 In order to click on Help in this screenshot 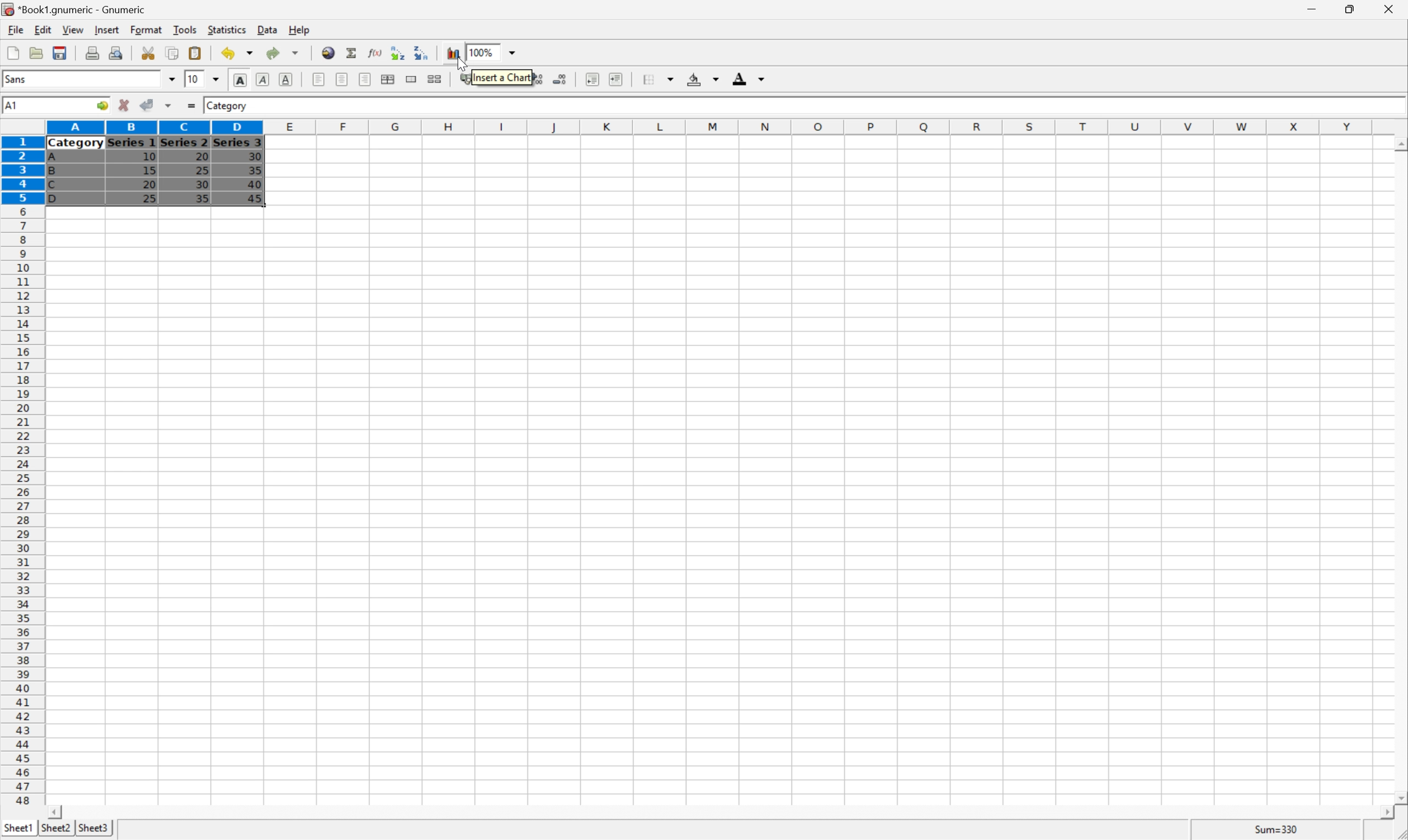, I will do `click(300, 31)`.